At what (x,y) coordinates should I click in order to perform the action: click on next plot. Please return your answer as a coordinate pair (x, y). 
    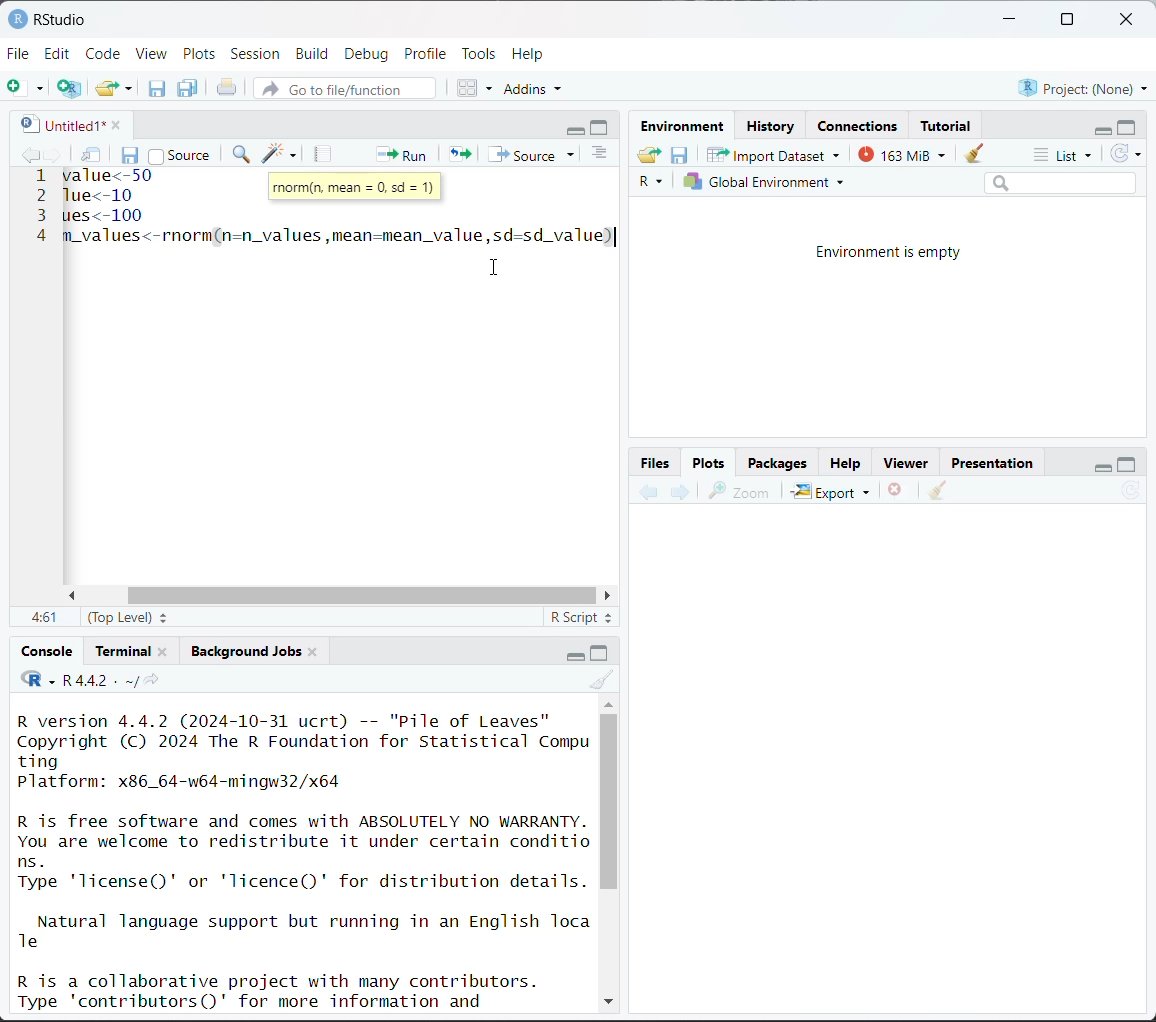
    Looking at the image, I should click on (678, 492).